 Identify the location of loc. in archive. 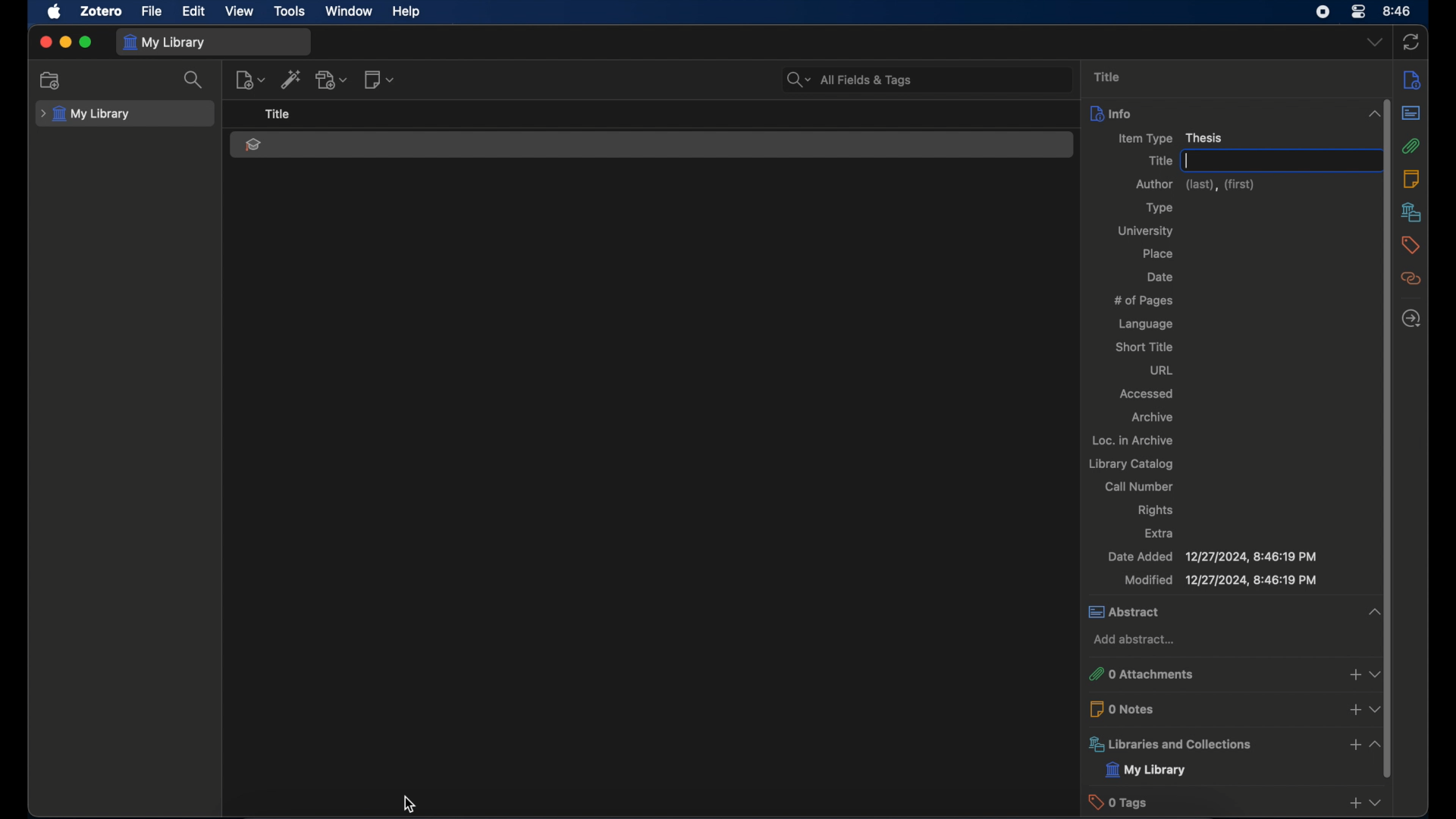
(1132, 441).